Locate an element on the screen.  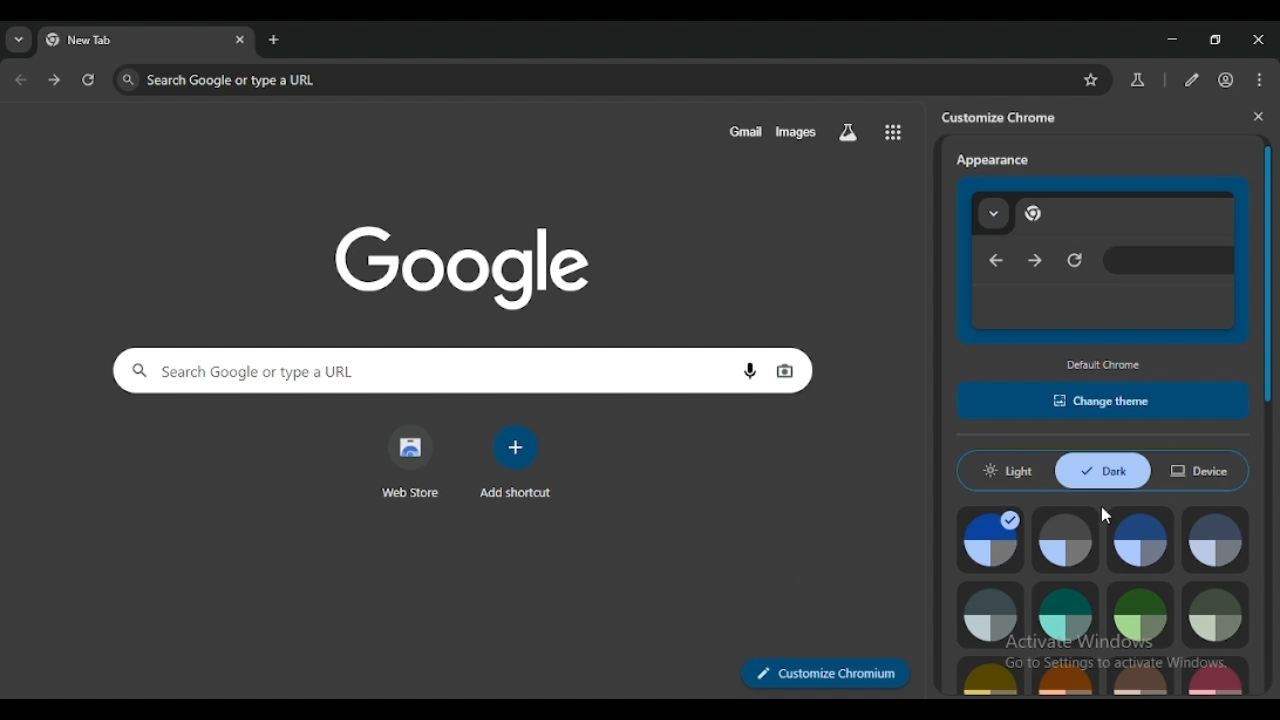
default chrome is located at coordinates (1105, 365).